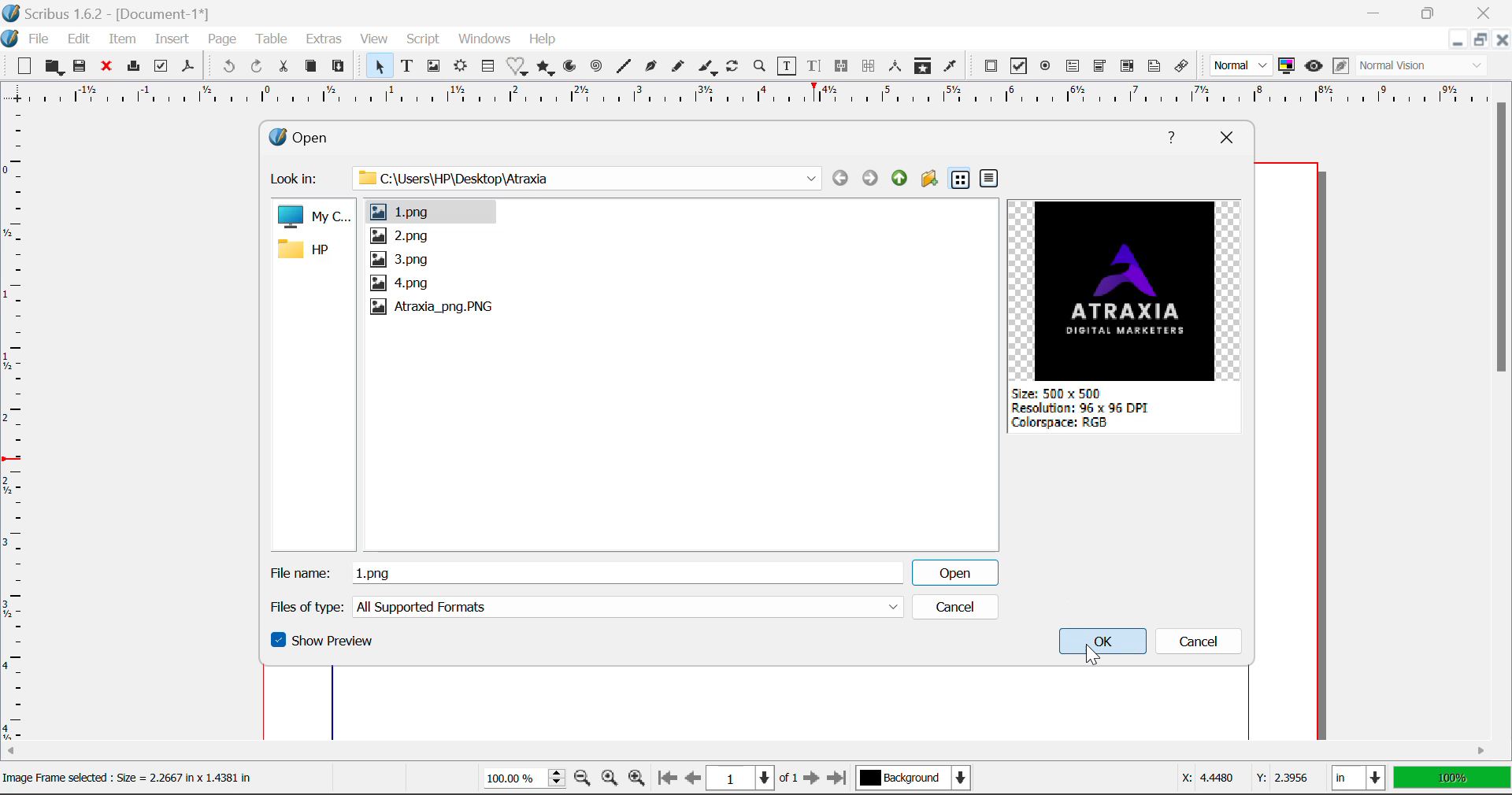 Image resolution: width=1512 pixels, height=795 pixels. What do you see at coordinates (608, 780) in the screenshot?
I see `Zoom to 100%` at bounding box center [608, 780].